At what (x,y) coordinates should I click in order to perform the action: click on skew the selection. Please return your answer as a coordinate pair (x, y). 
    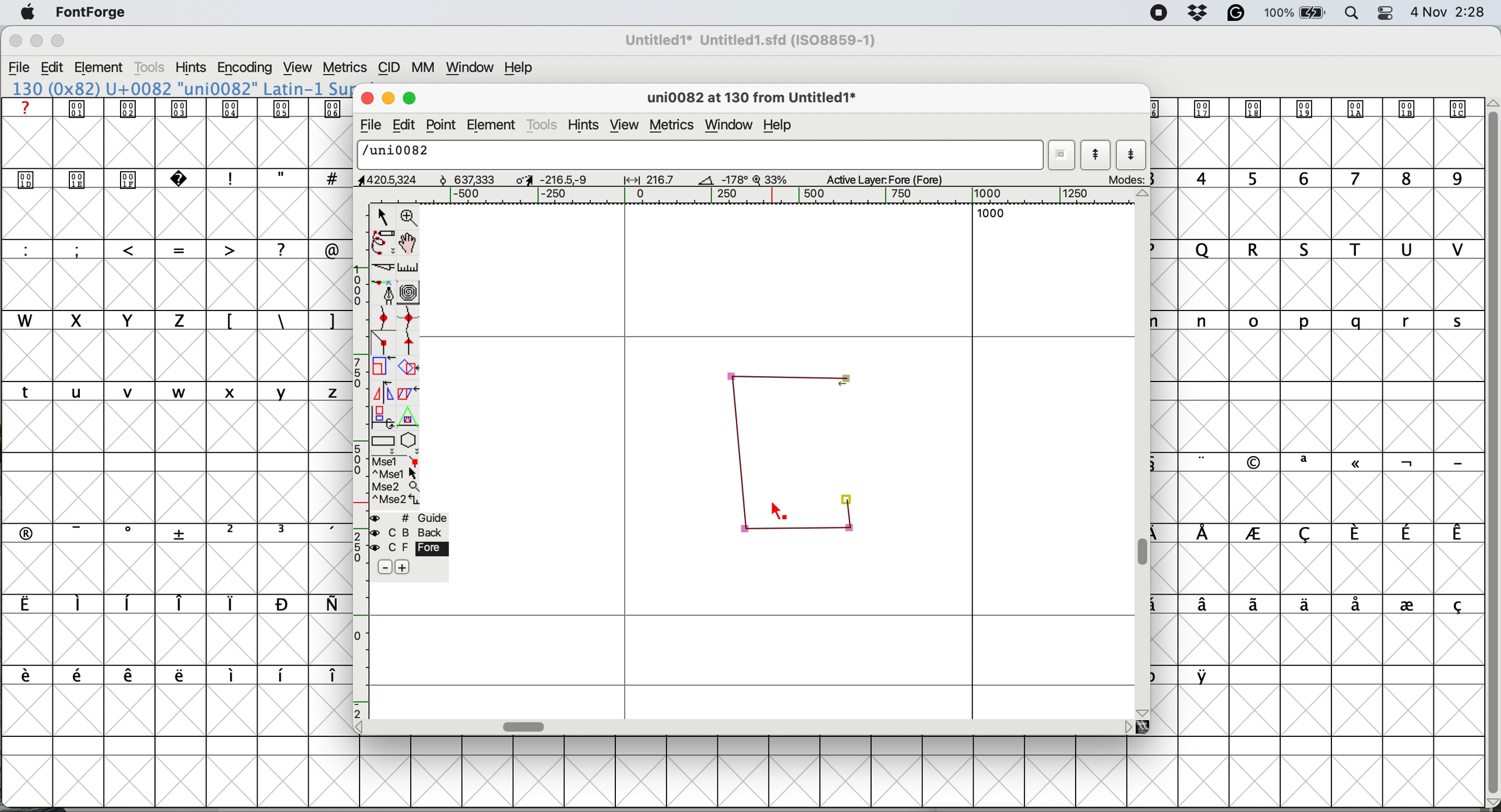
    Looking at the image, I should click on (406, 391).